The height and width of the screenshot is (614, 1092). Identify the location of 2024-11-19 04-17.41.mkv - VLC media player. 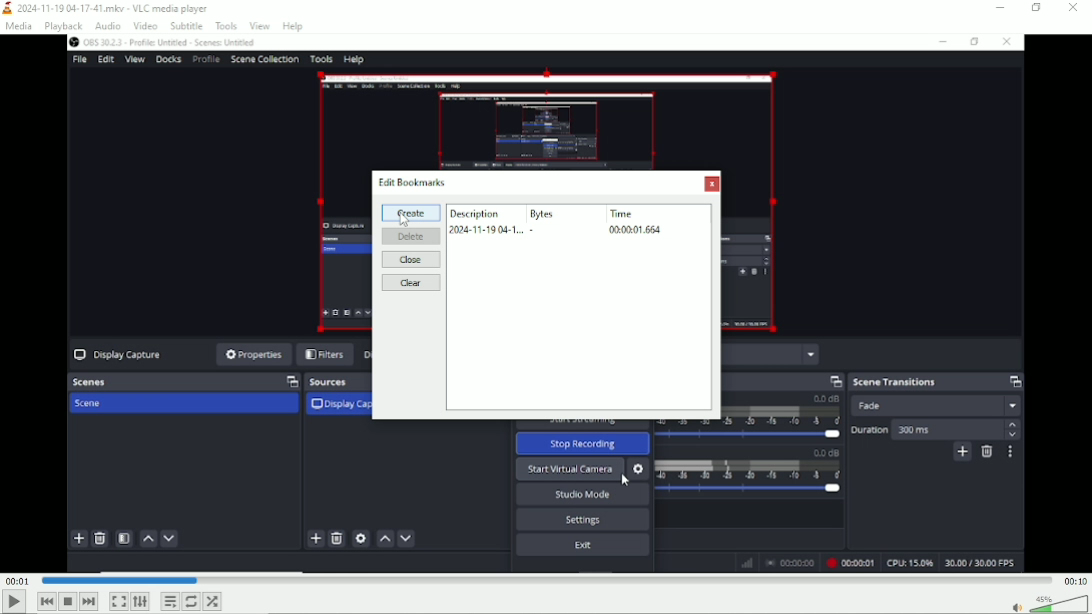
(107, 8).